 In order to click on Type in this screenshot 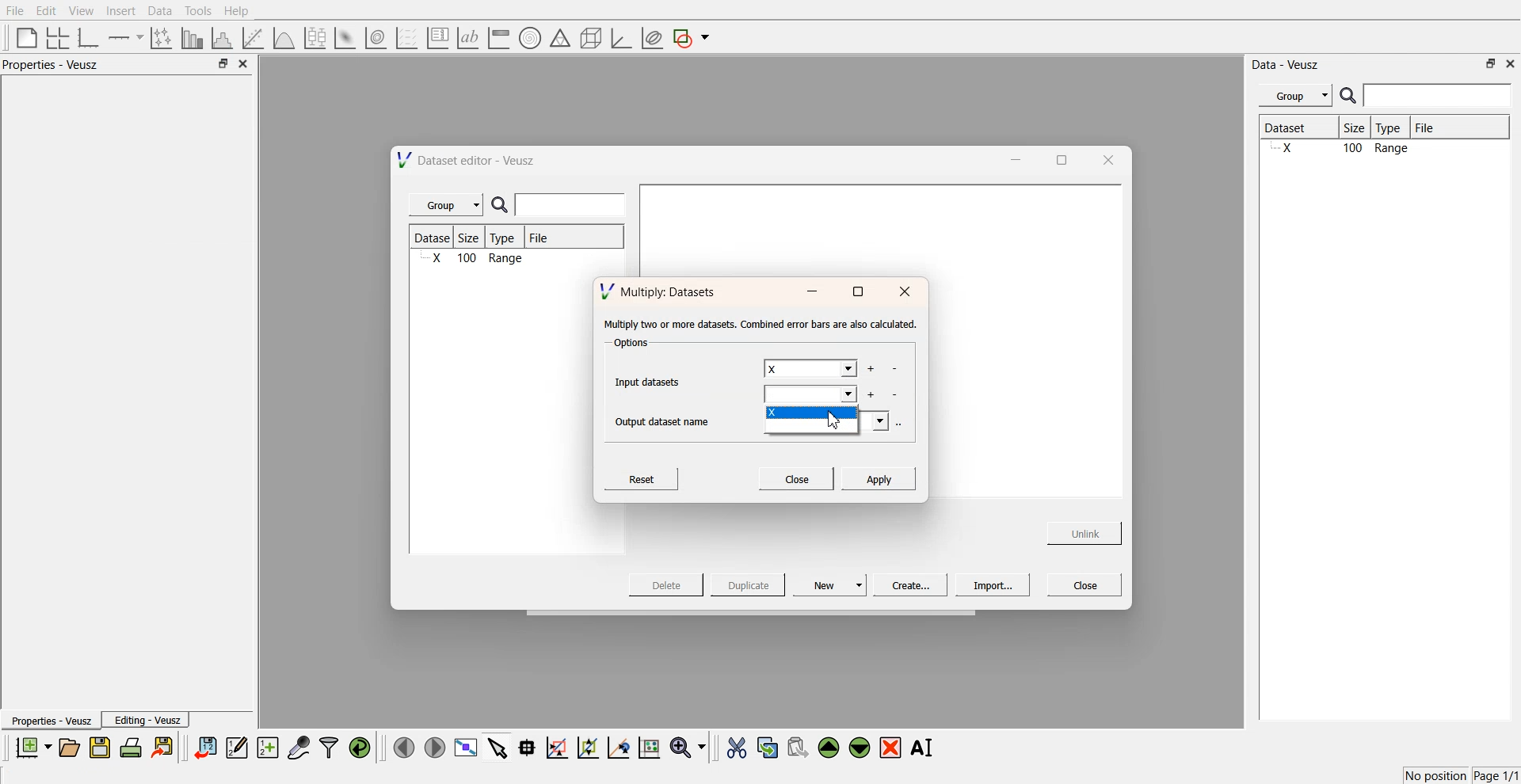, I will do `click(1393, 128)`.